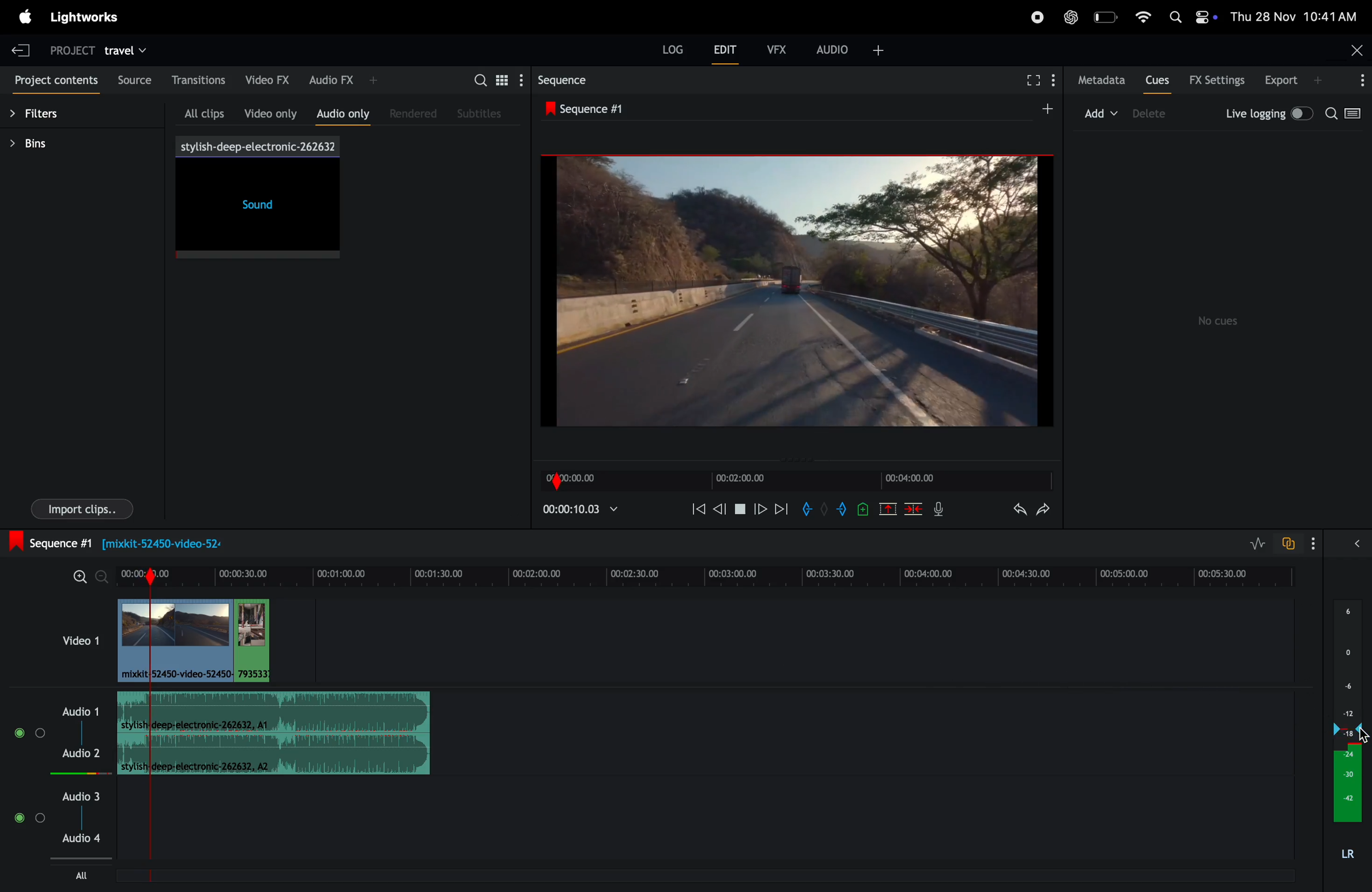  I want to click on add out mark, so click(839, 511).